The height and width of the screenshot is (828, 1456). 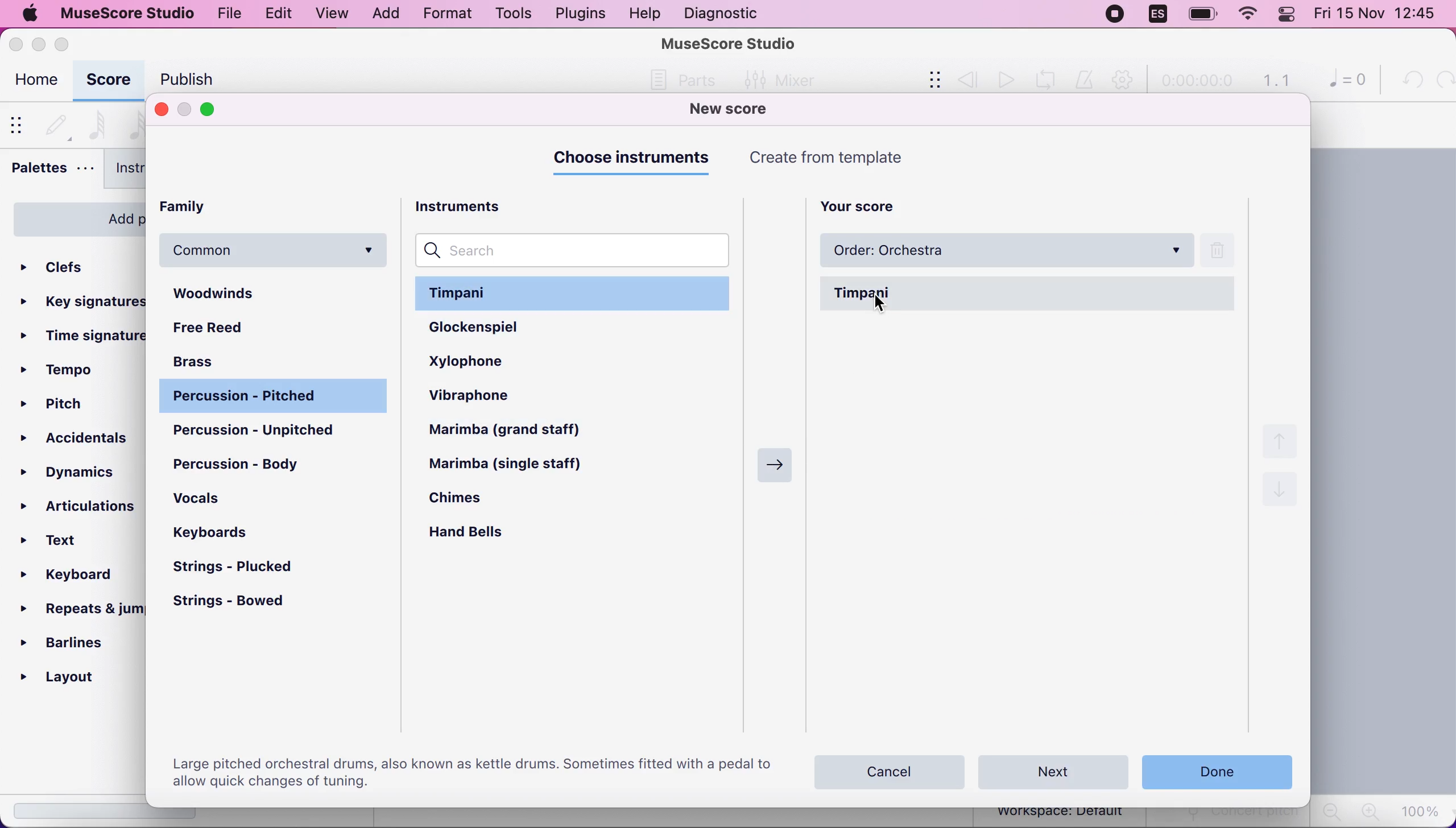 I want to click on glockenspiel, so click(x=499, y=328).